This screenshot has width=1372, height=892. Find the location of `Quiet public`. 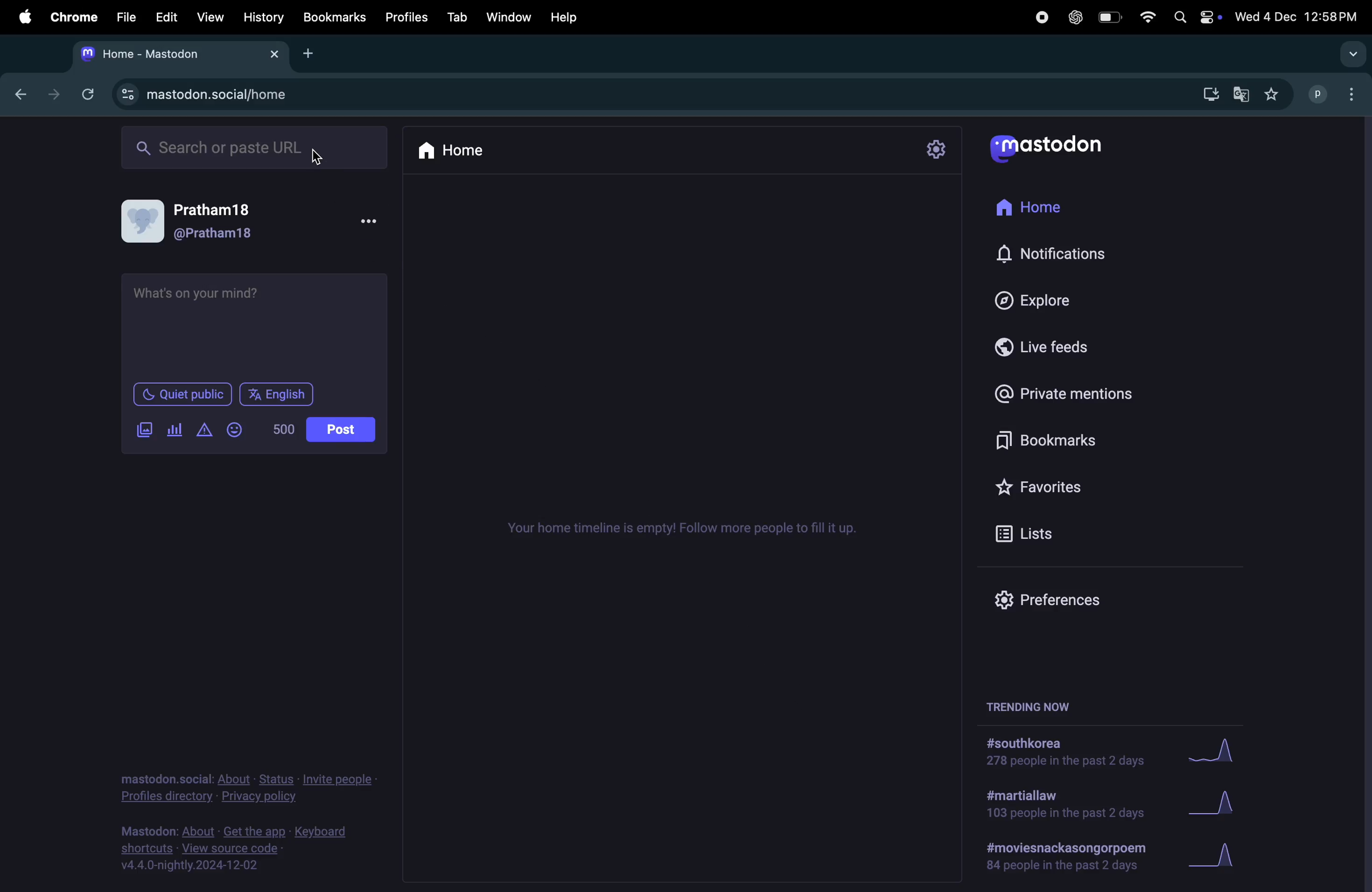

Quiet public is located at coordinates (181, 394).